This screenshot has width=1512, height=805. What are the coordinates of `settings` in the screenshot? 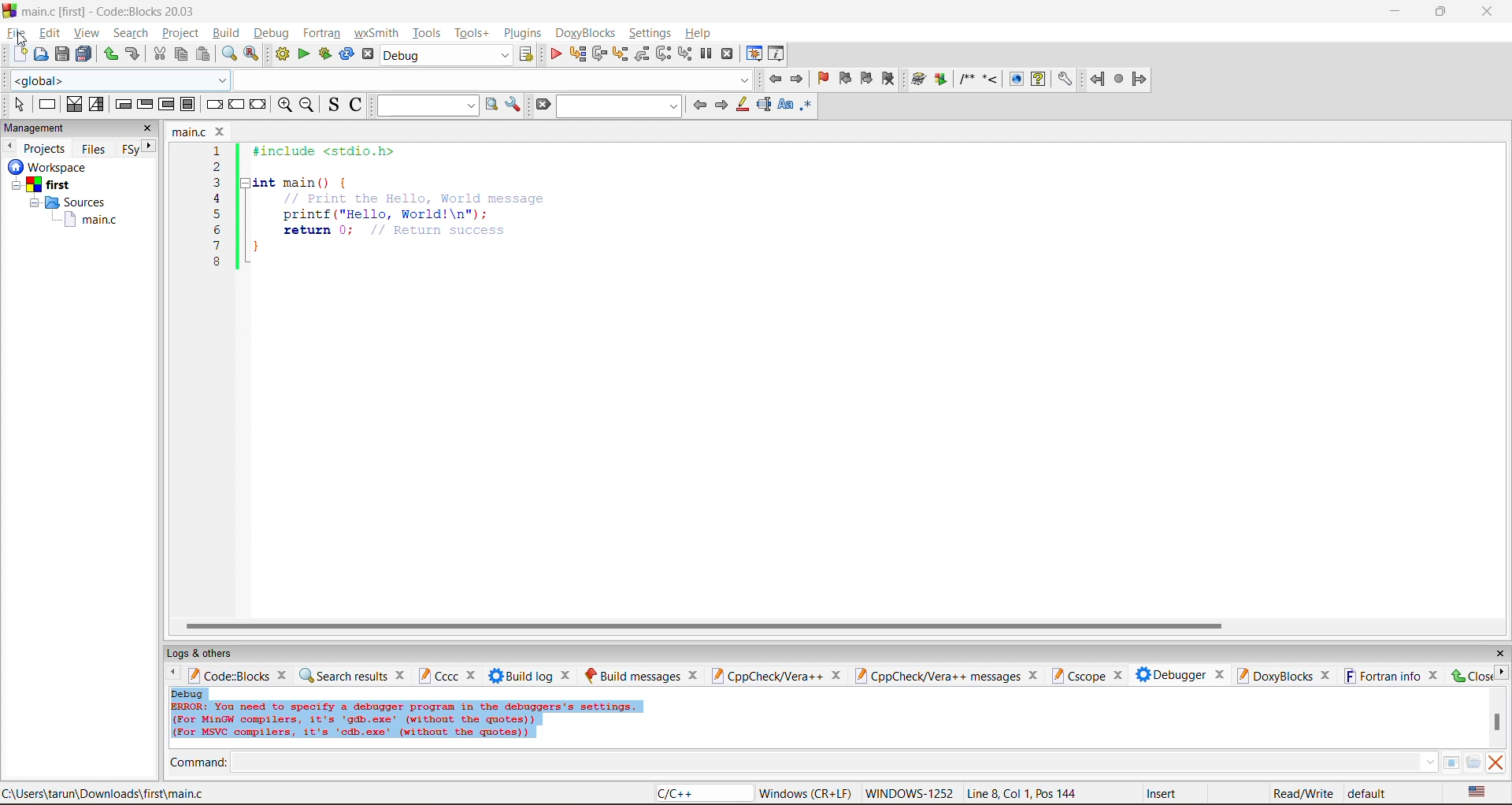 It's located at (1064, 80).